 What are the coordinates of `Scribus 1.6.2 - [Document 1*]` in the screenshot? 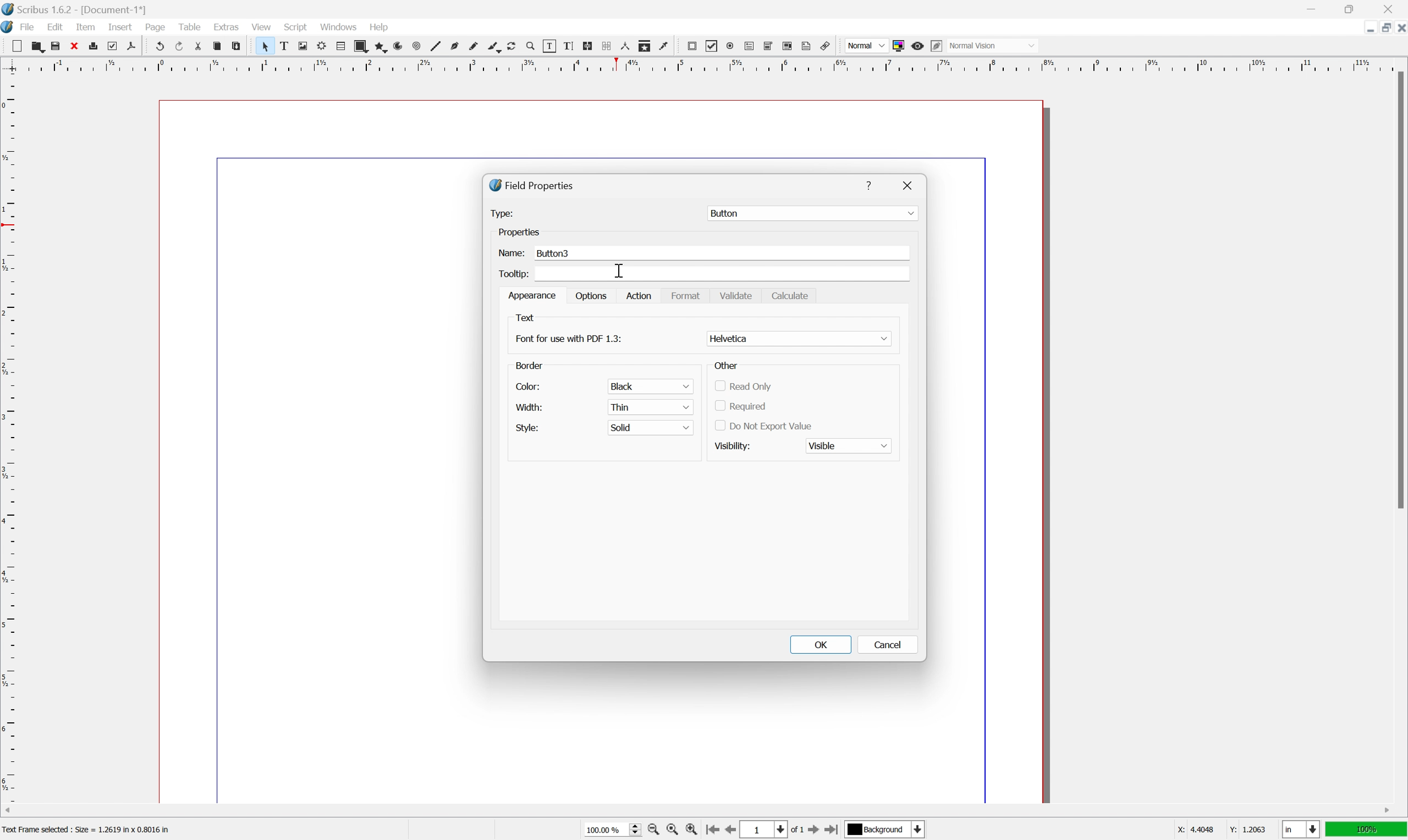 It's located at (88, 11).